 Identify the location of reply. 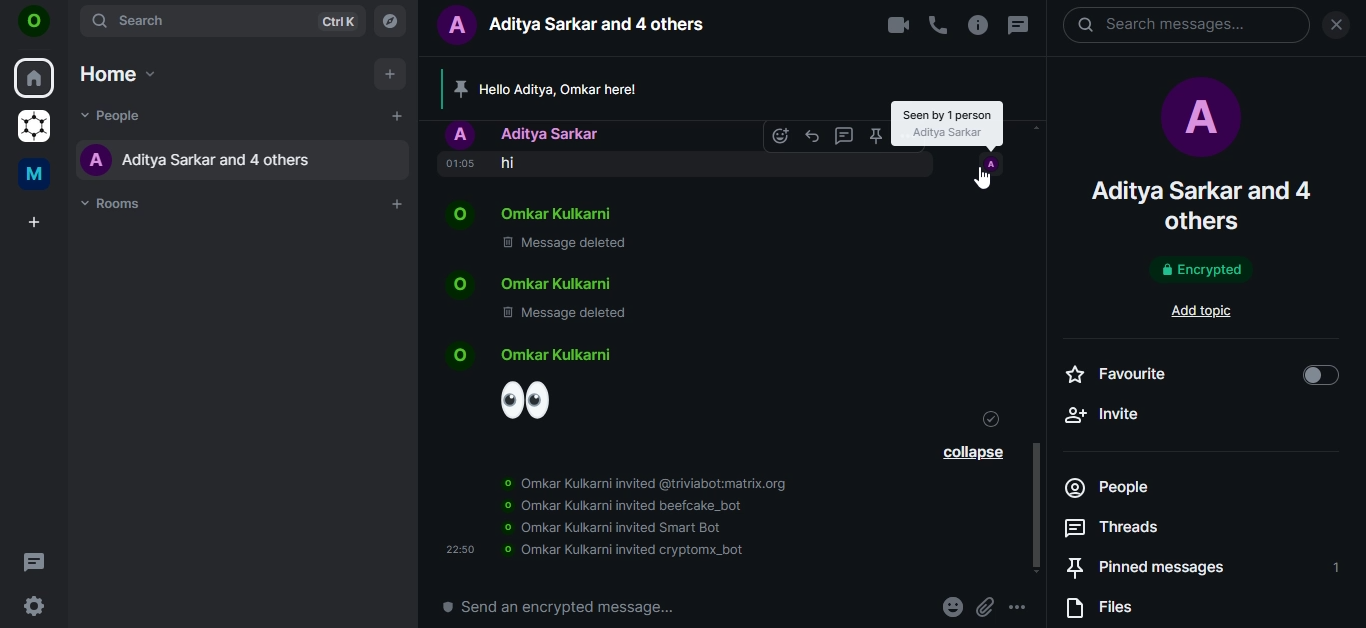
(844, 134).